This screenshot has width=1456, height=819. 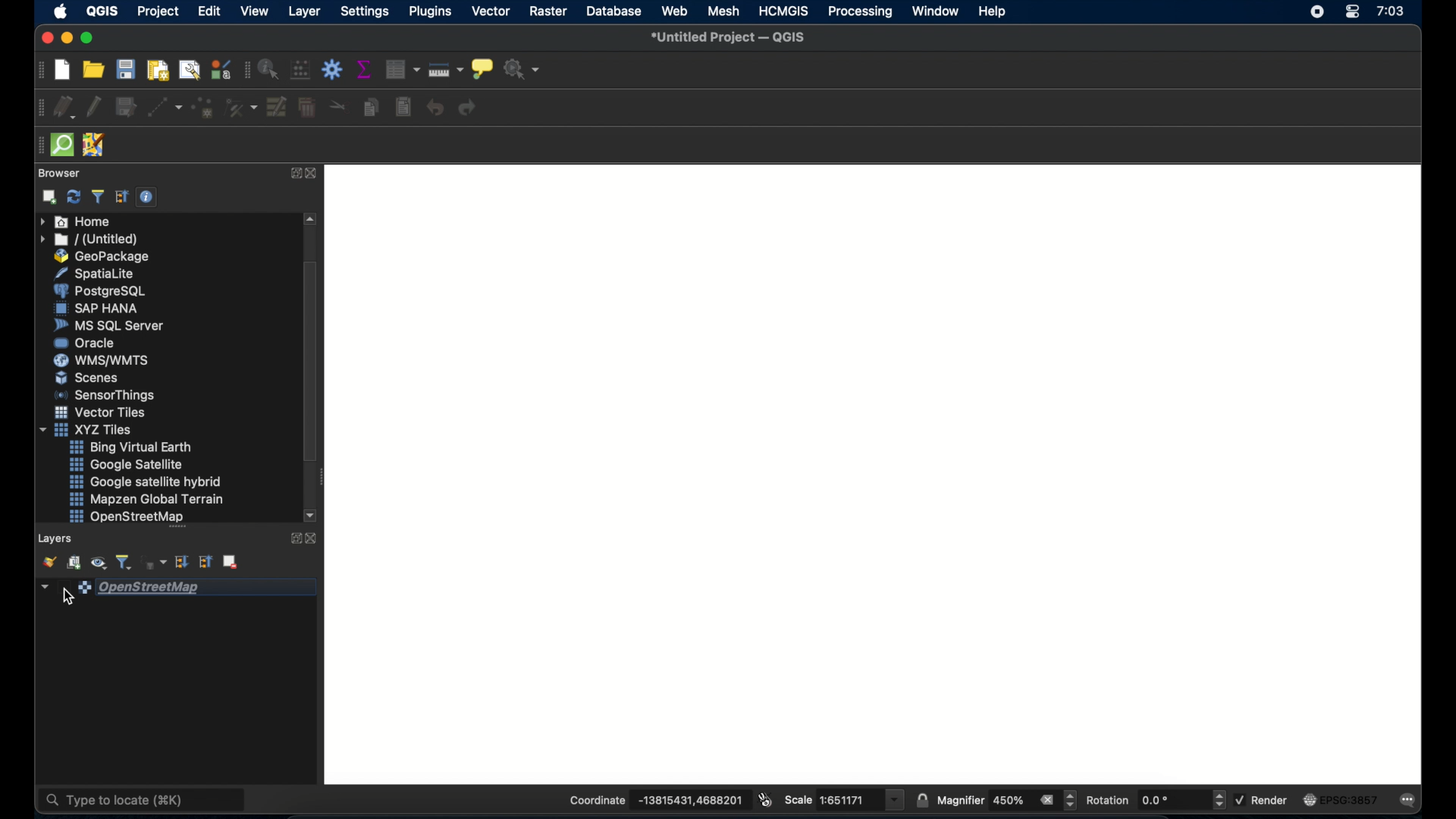 I want to click on collapse. all, so click(x=122, y=198).